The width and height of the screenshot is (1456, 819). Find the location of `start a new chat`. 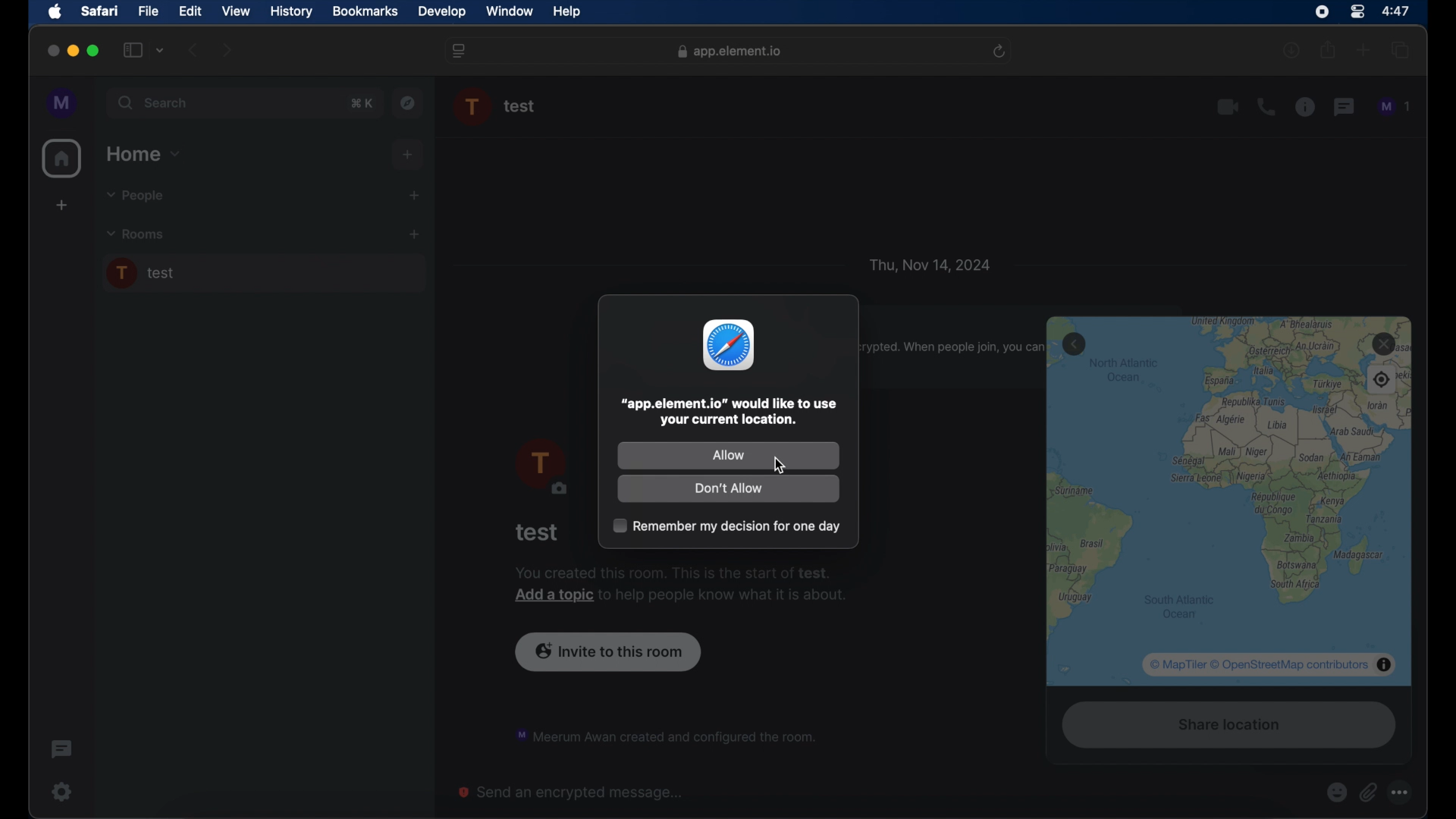

start a new chat is located at coordinates (414, 195).